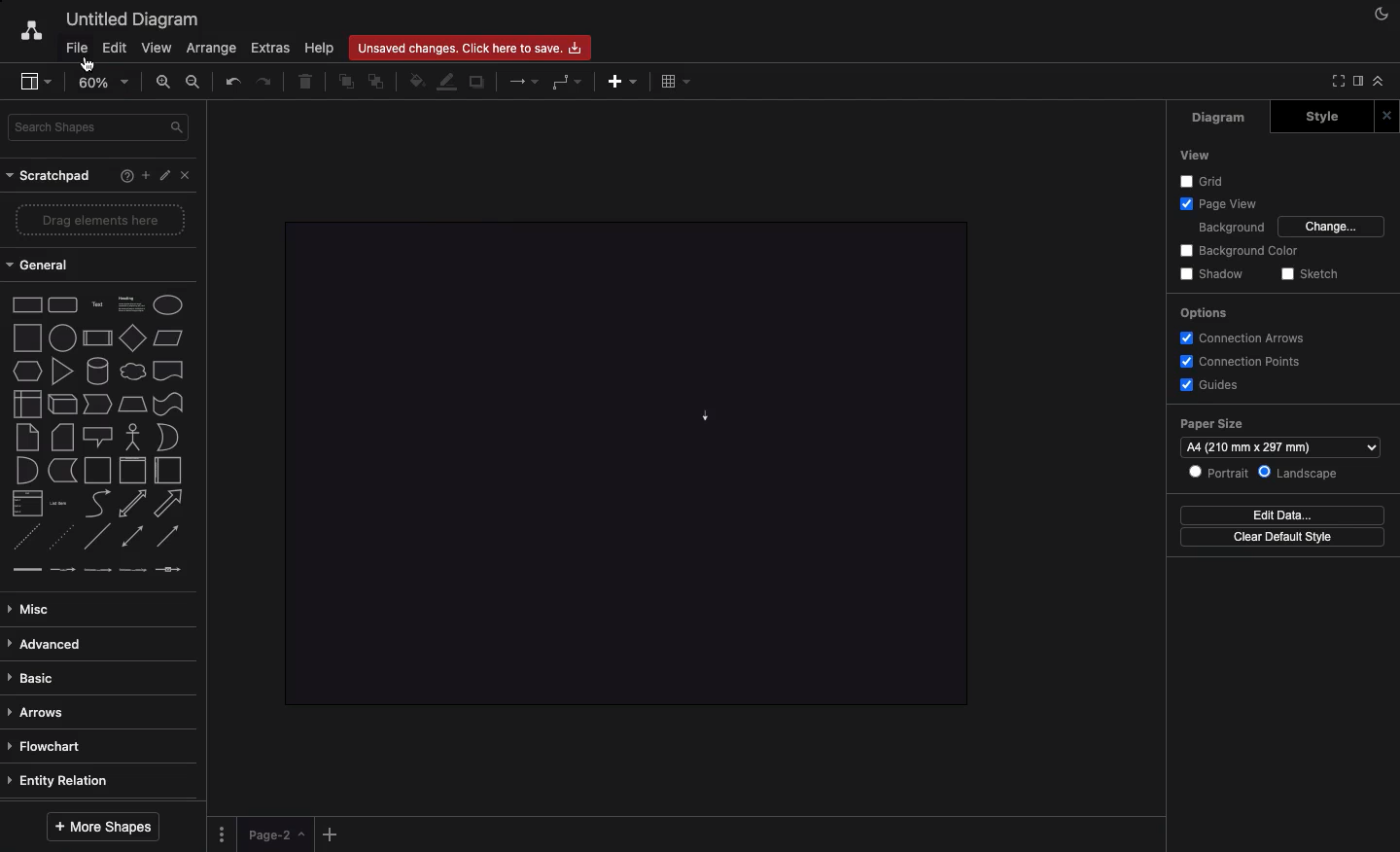 The height and width of the screenshot is (852, 1400). I want to click on Sidebar, so click(28, 79).